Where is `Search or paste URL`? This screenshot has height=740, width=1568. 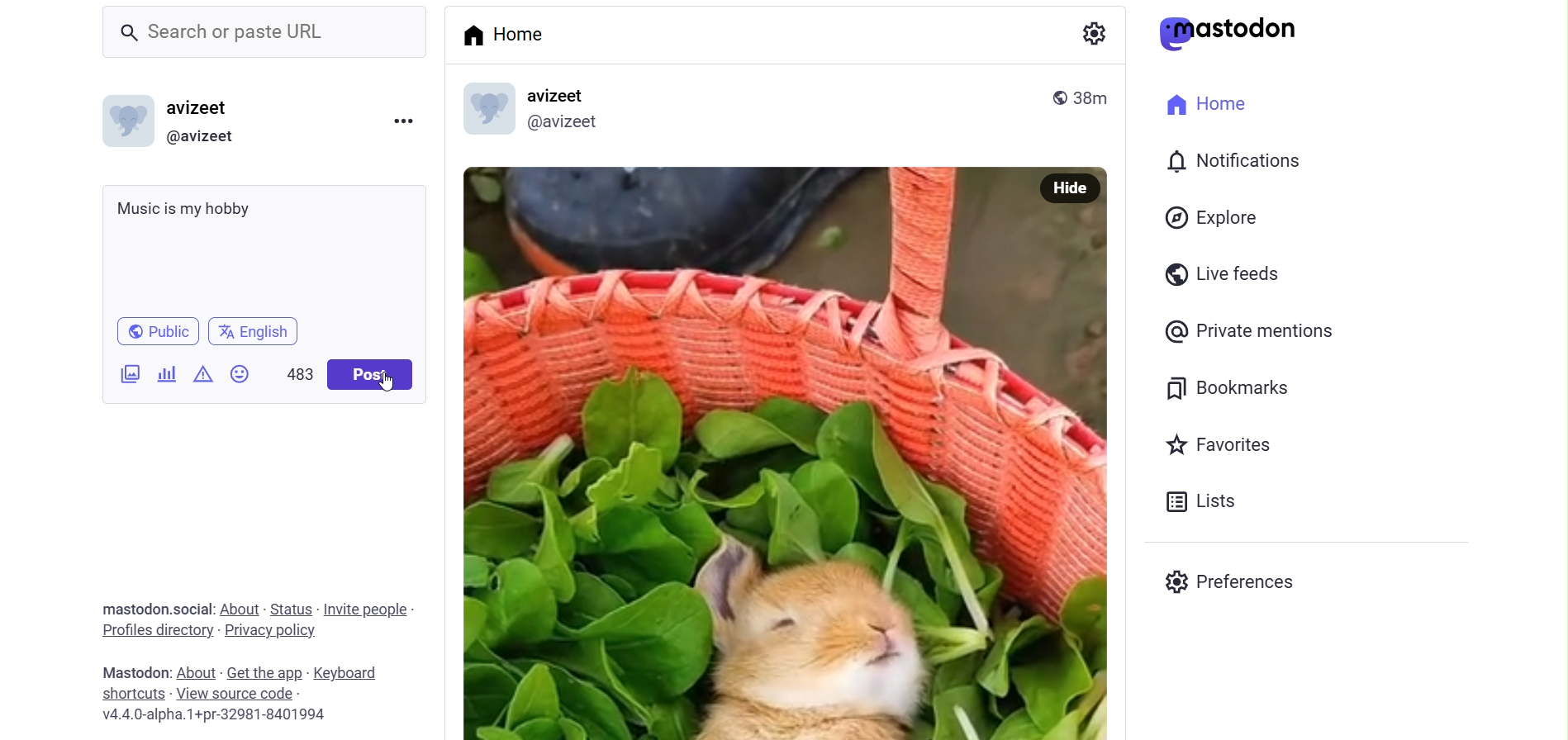 Search or paste URL is located at coordinates (267, 33).